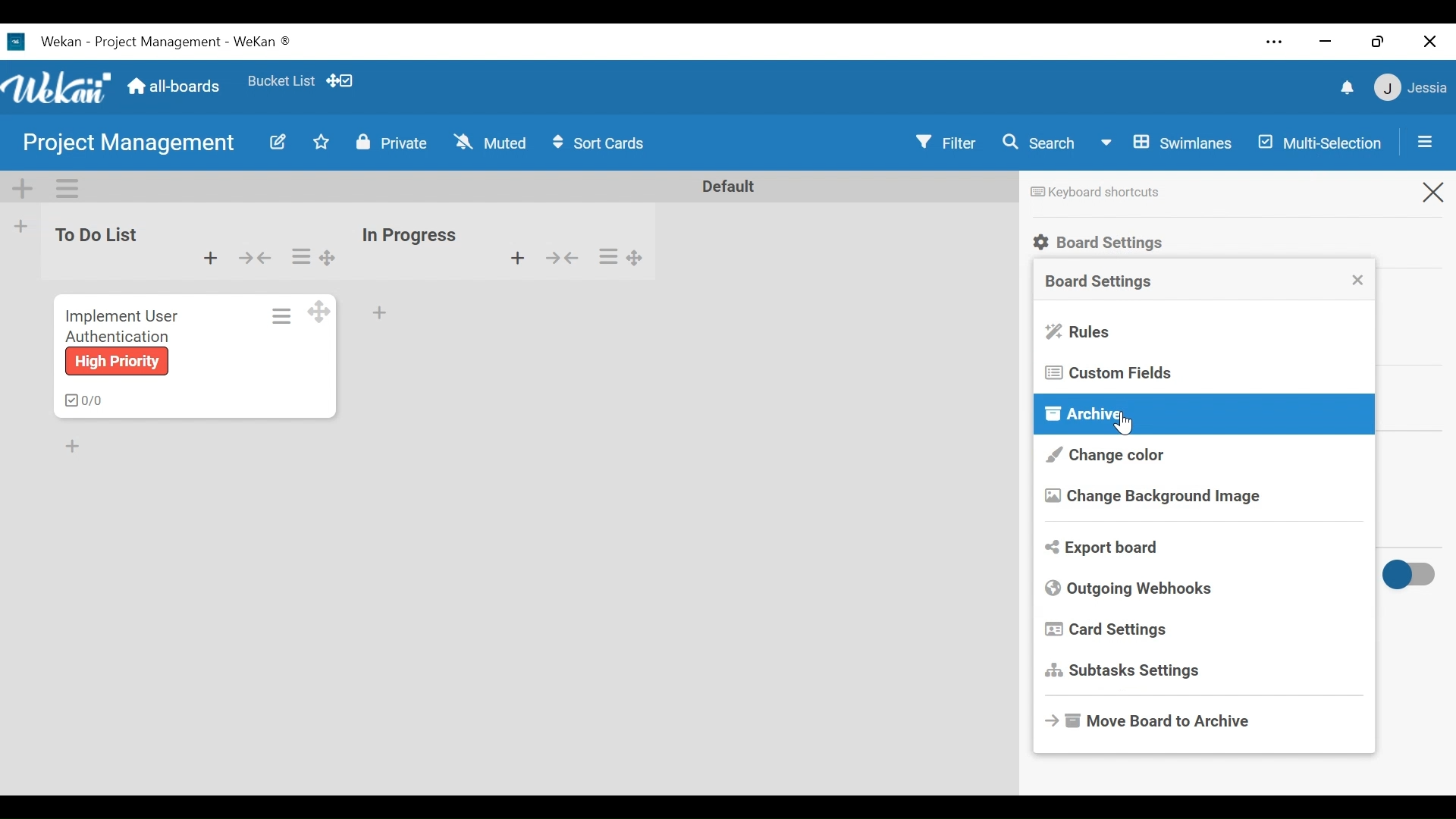 The height and width of the screenshot is (819, 1456). What do you see at coordinates (330, 257) in the screenshot?
I see `Drag handles` at bounding box center [330, 257].